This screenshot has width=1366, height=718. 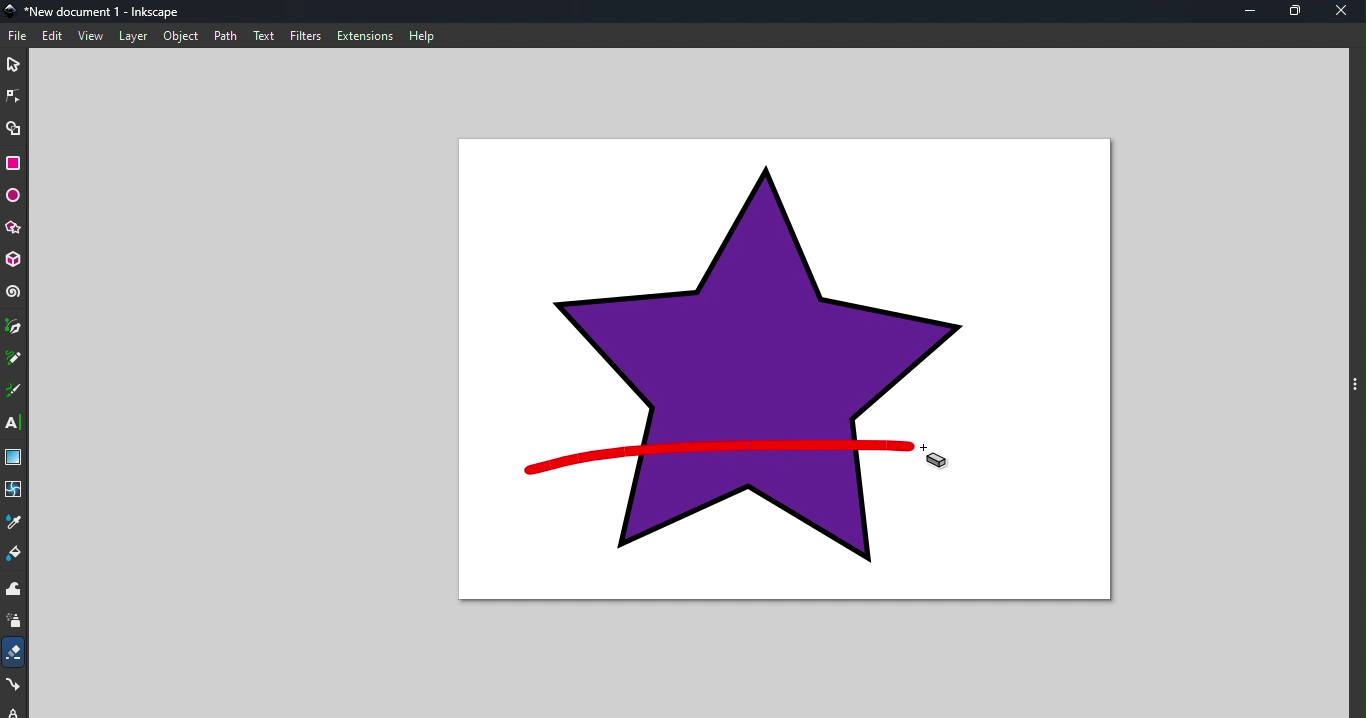 What do you see at coordinates (307, 36) in the screenshot?
I see `filters` at bounding box center [307, 36].